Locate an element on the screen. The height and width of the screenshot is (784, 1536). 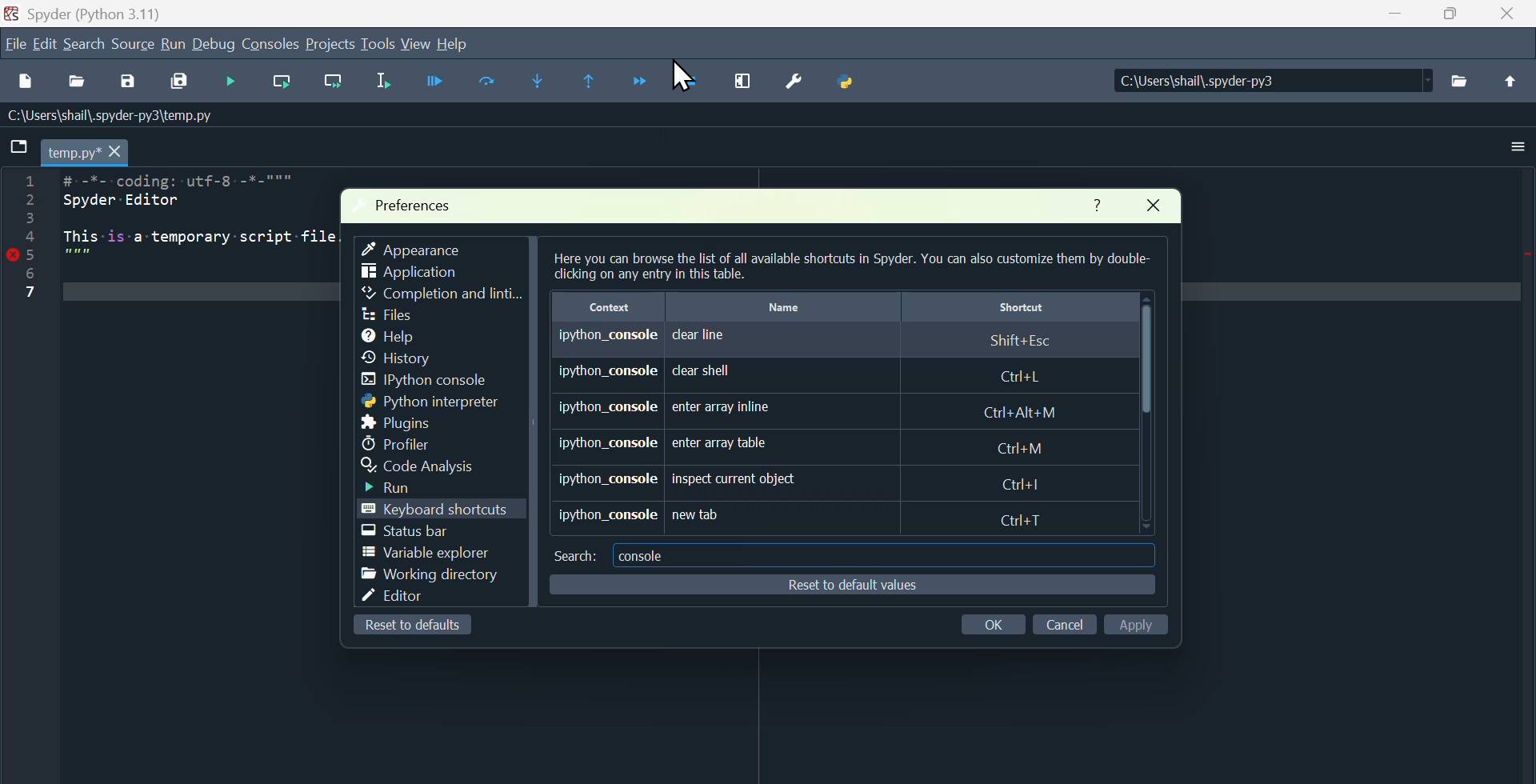
I python consol is located at coordinates (418, 382).